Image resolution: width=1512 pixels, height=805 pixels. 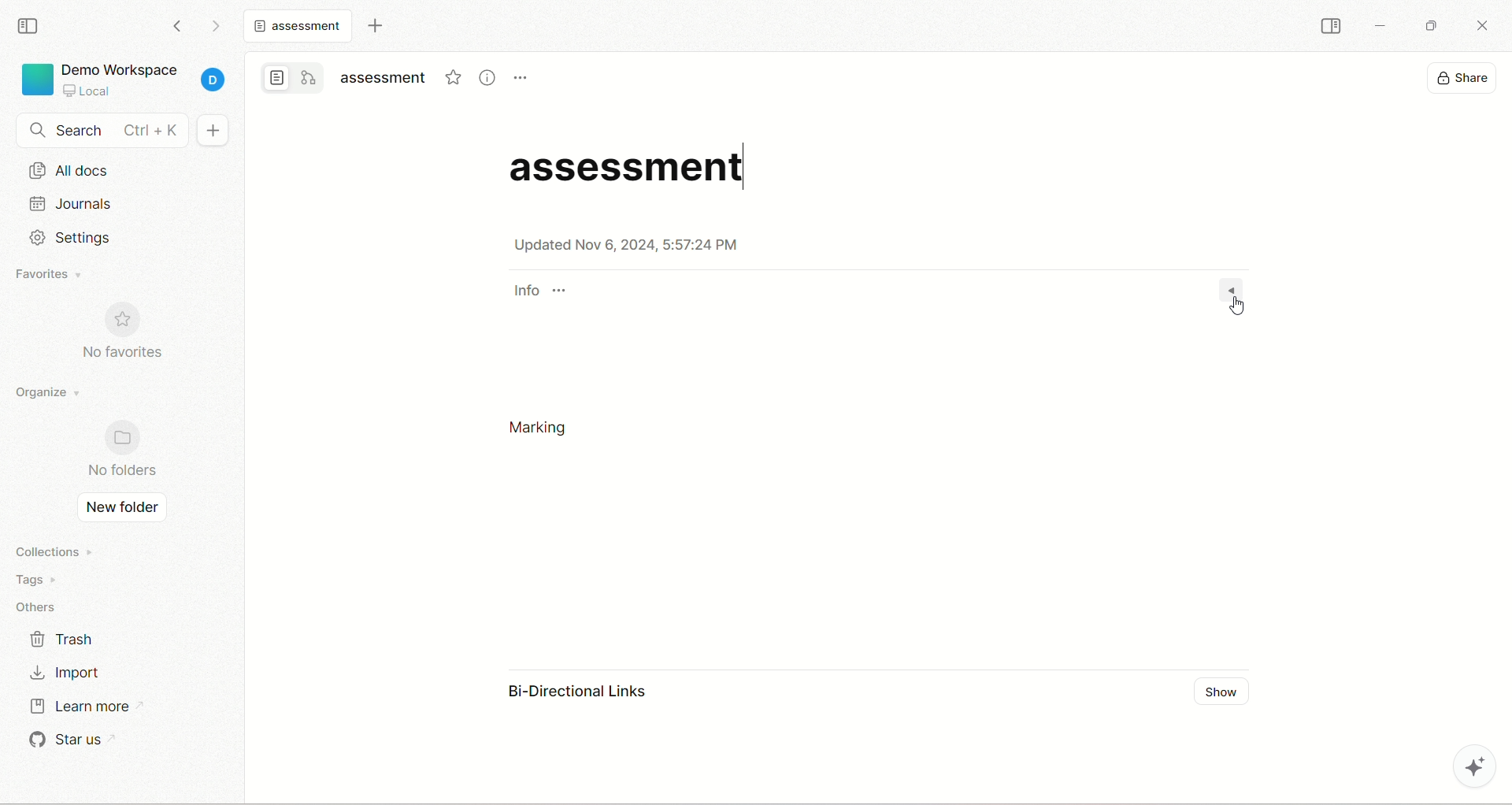 I want to click on collections, so click(x=50, y=551).